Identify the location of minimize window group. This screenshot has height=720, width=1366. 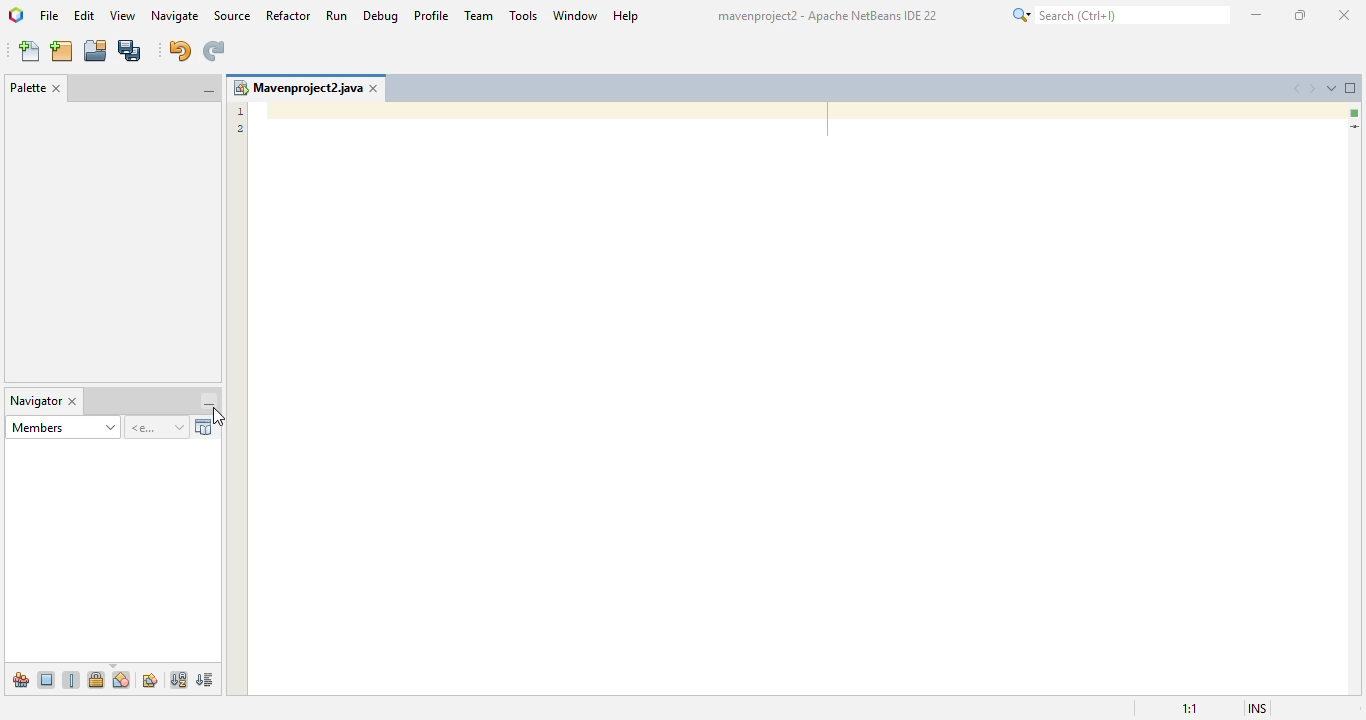
(207, 92).